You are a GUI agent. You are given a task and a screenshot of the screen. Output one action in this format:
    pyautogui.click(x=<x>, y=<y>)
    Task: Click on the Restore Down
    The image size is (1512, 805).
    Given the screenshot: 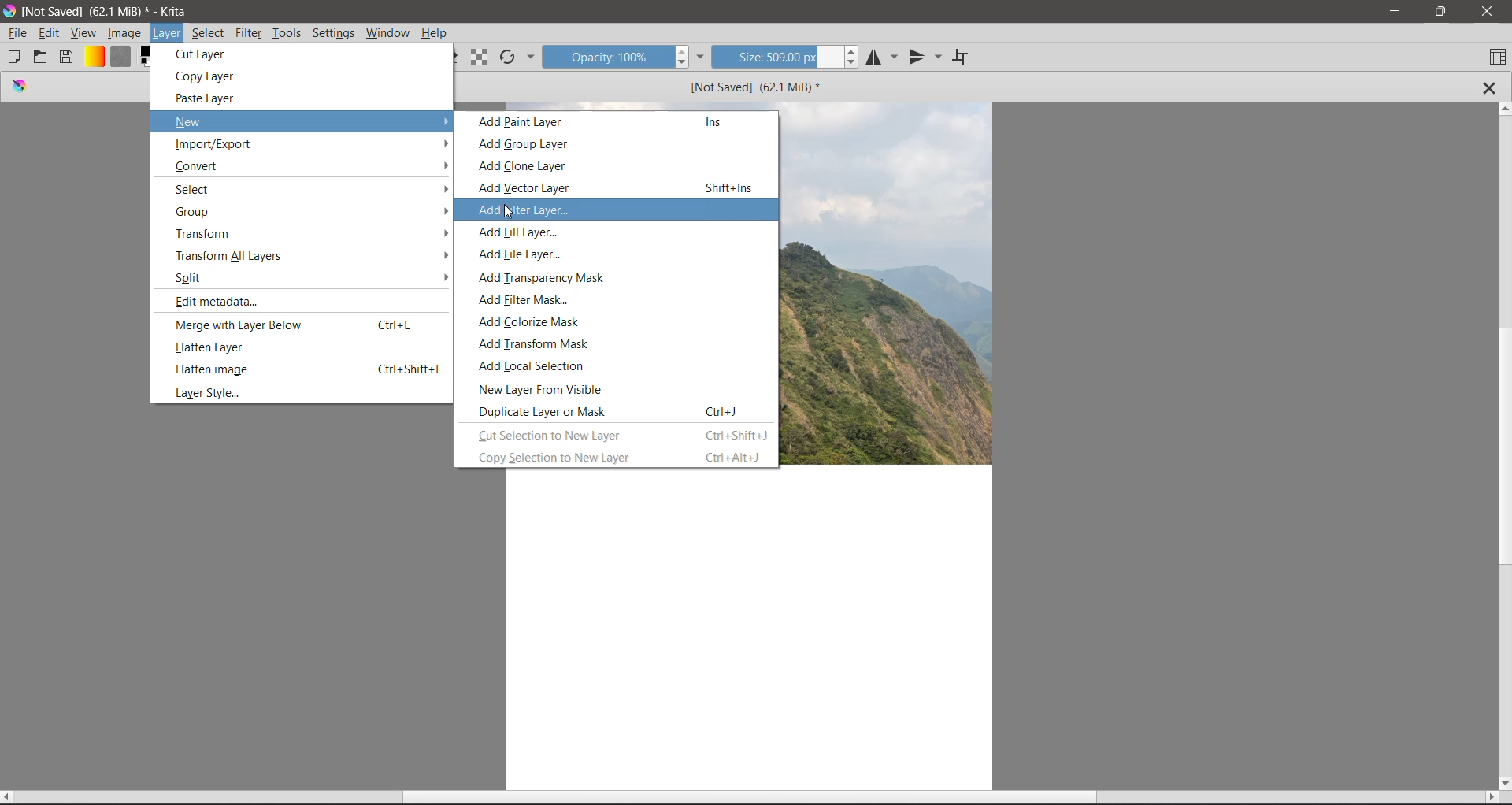 What is the action you would take?
    pyautogui.click(x=1440, y=12)
    